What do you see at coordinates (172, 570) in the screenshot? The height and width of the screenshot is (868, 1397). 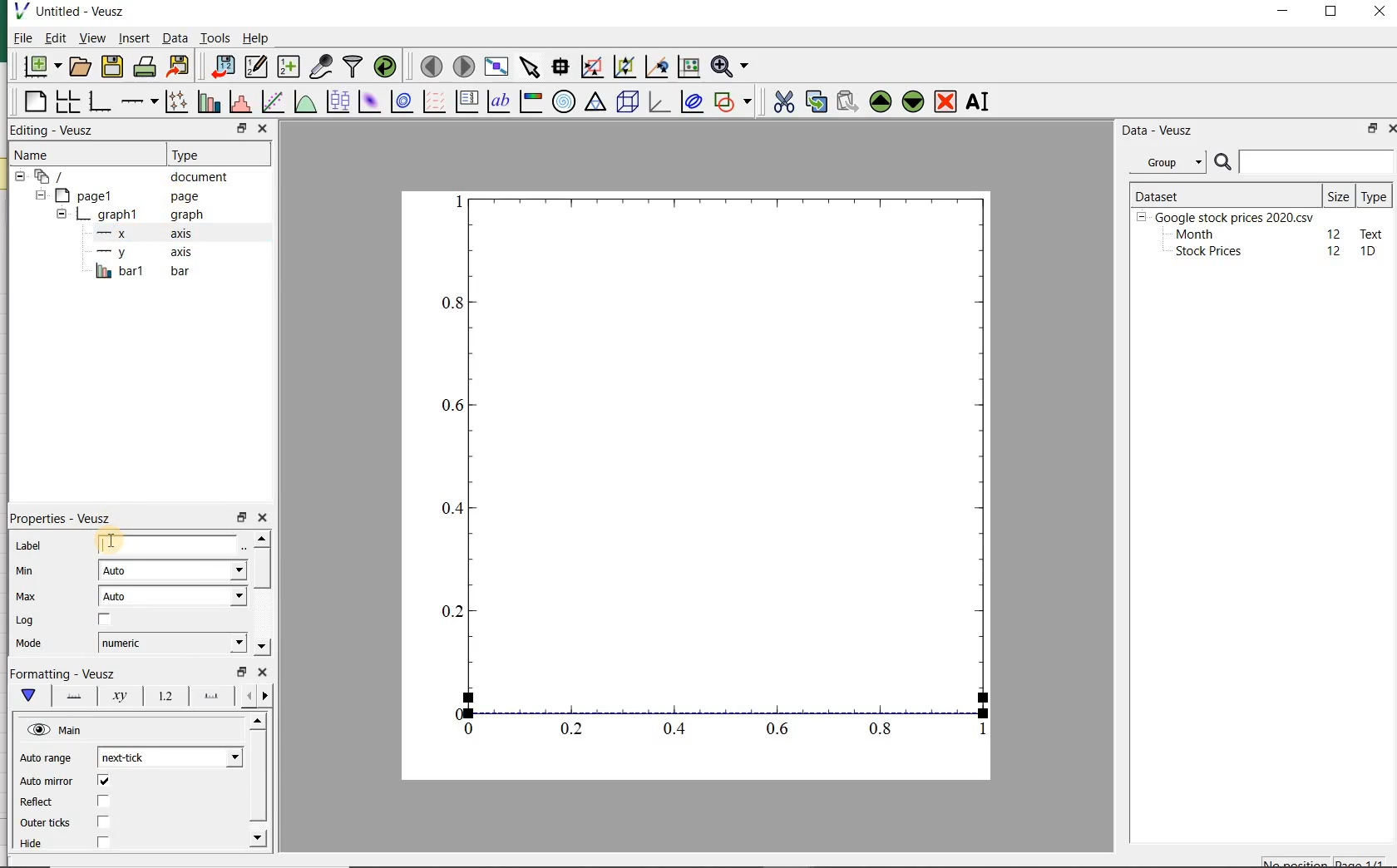 I see `Auto` at bounding box center [172, 570].